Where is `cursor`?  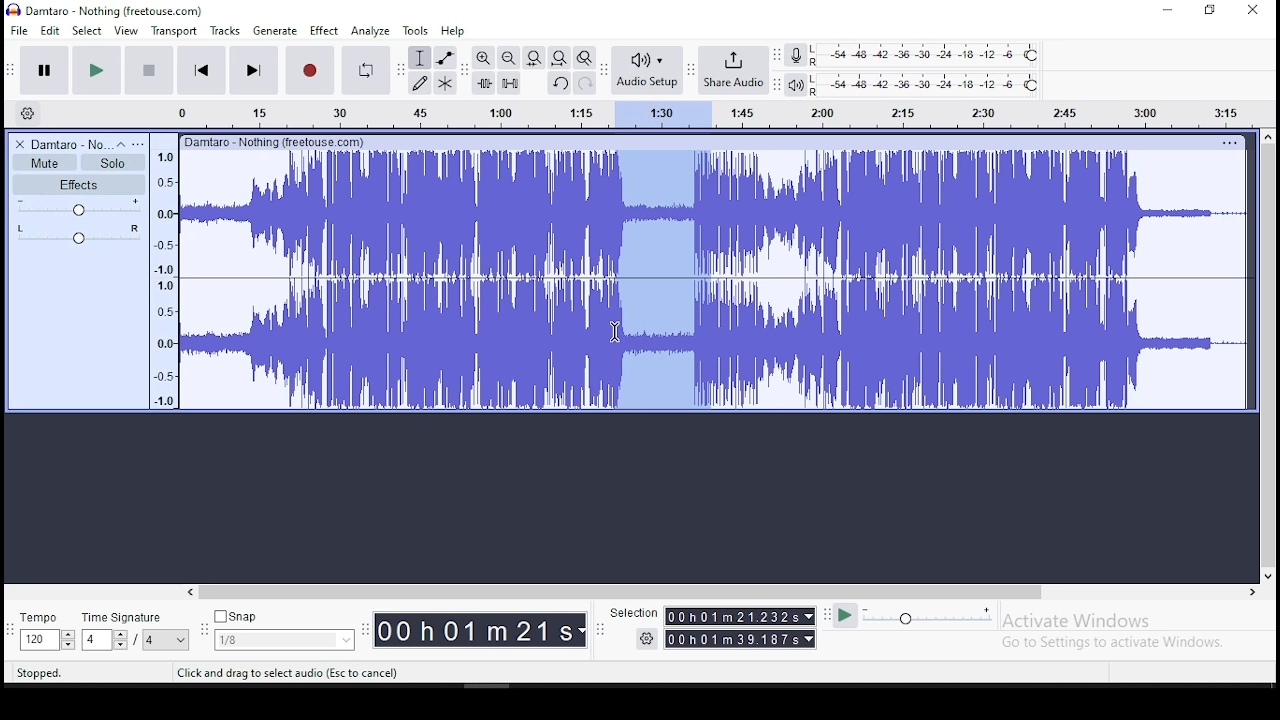 cursor is located at coordinates (614, 333).